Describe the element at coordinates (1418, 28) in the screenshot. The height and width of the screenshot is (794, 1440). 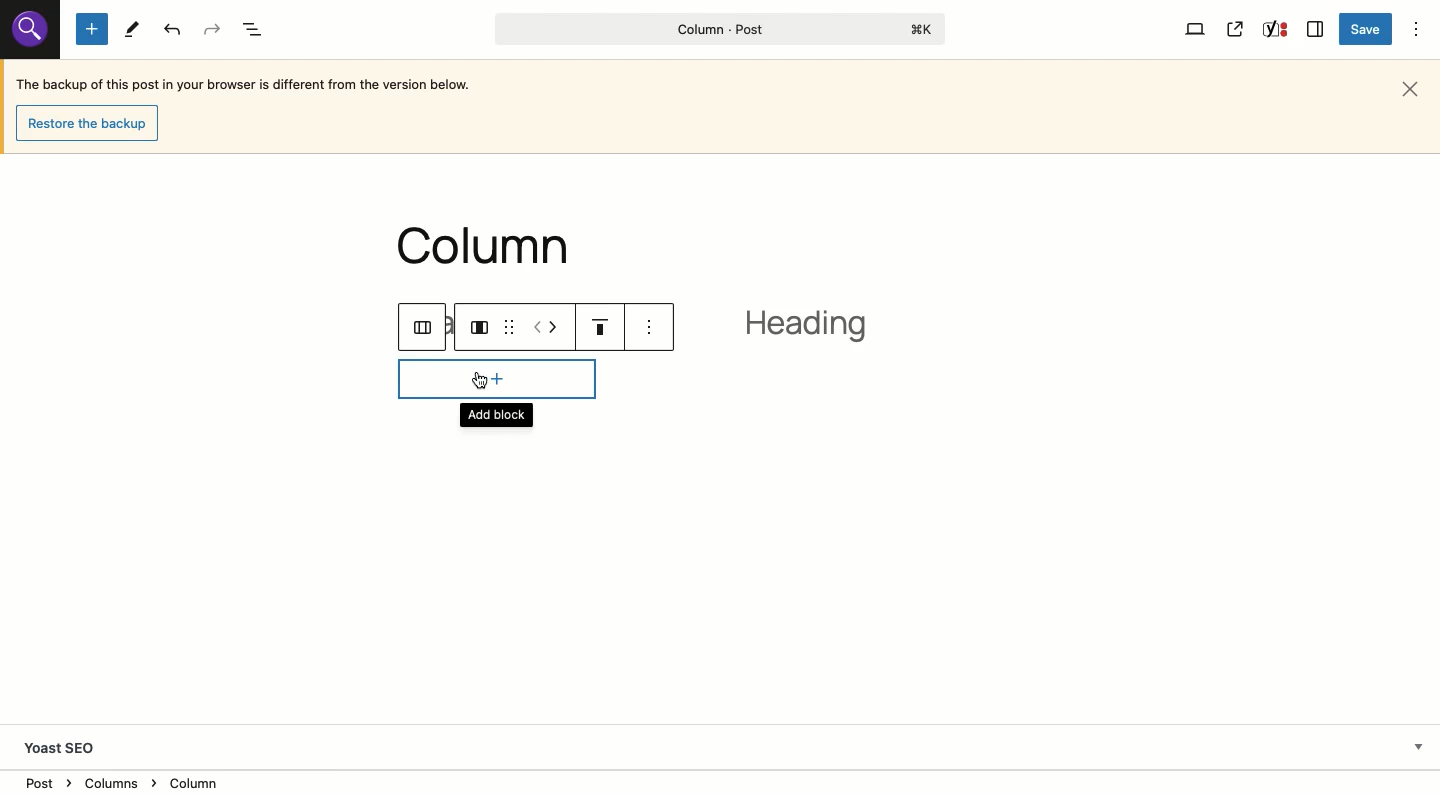
I see `Options` at that location.